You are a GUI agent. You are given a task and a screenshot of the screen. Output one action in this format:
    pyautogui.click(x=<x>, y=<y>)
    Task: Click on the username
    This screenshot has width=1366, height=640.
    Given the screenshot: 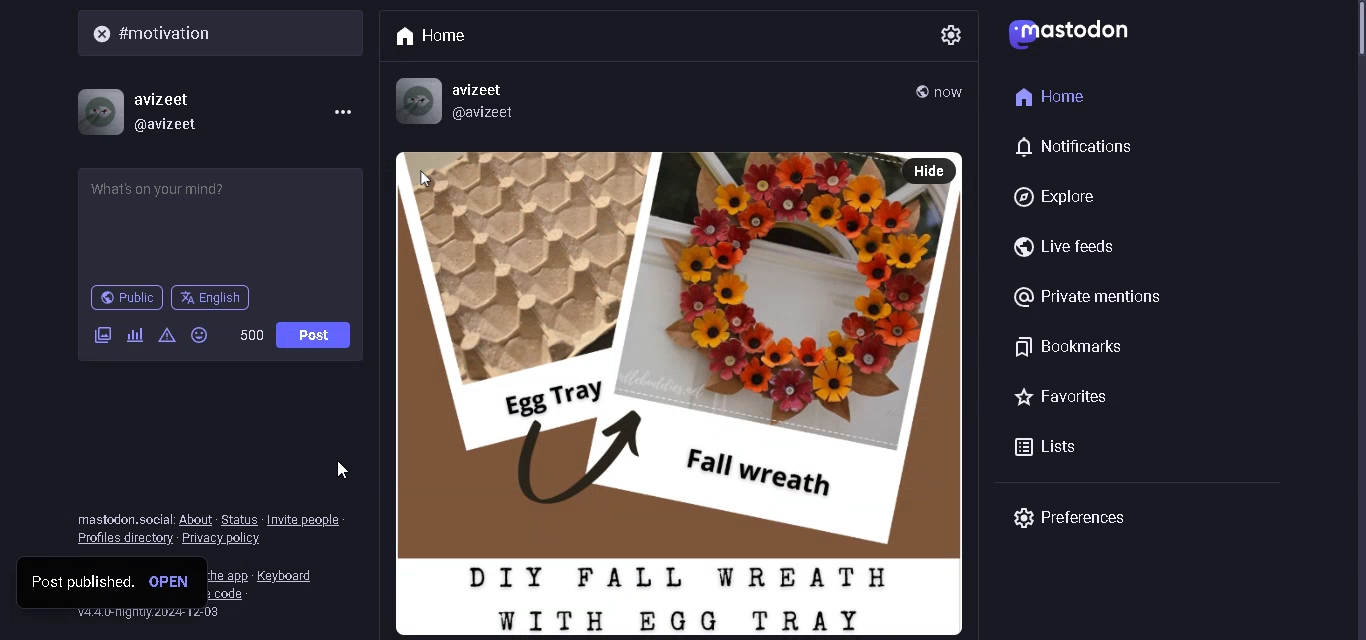 What is the action you would take?
    pyautogui.click(x=166, y=96)
    